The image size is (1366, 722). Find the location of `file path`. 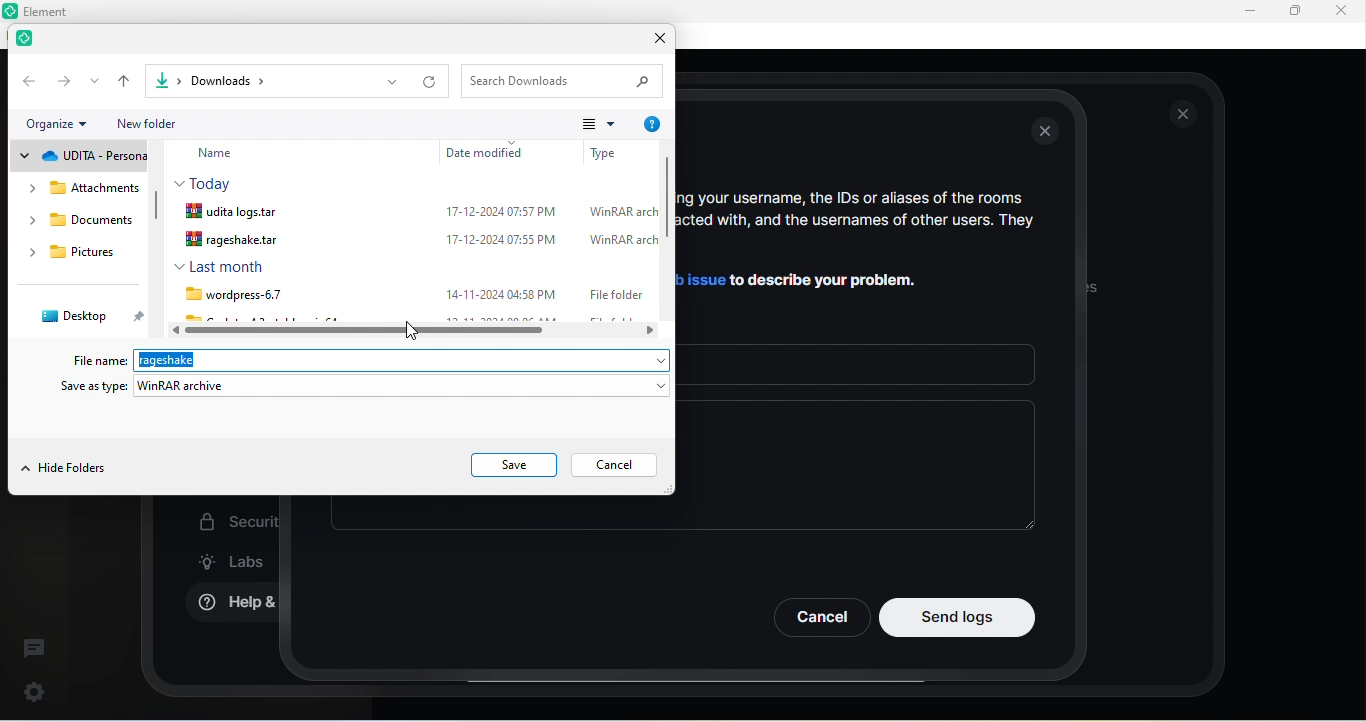

file path is located at coordinates (249, 80).